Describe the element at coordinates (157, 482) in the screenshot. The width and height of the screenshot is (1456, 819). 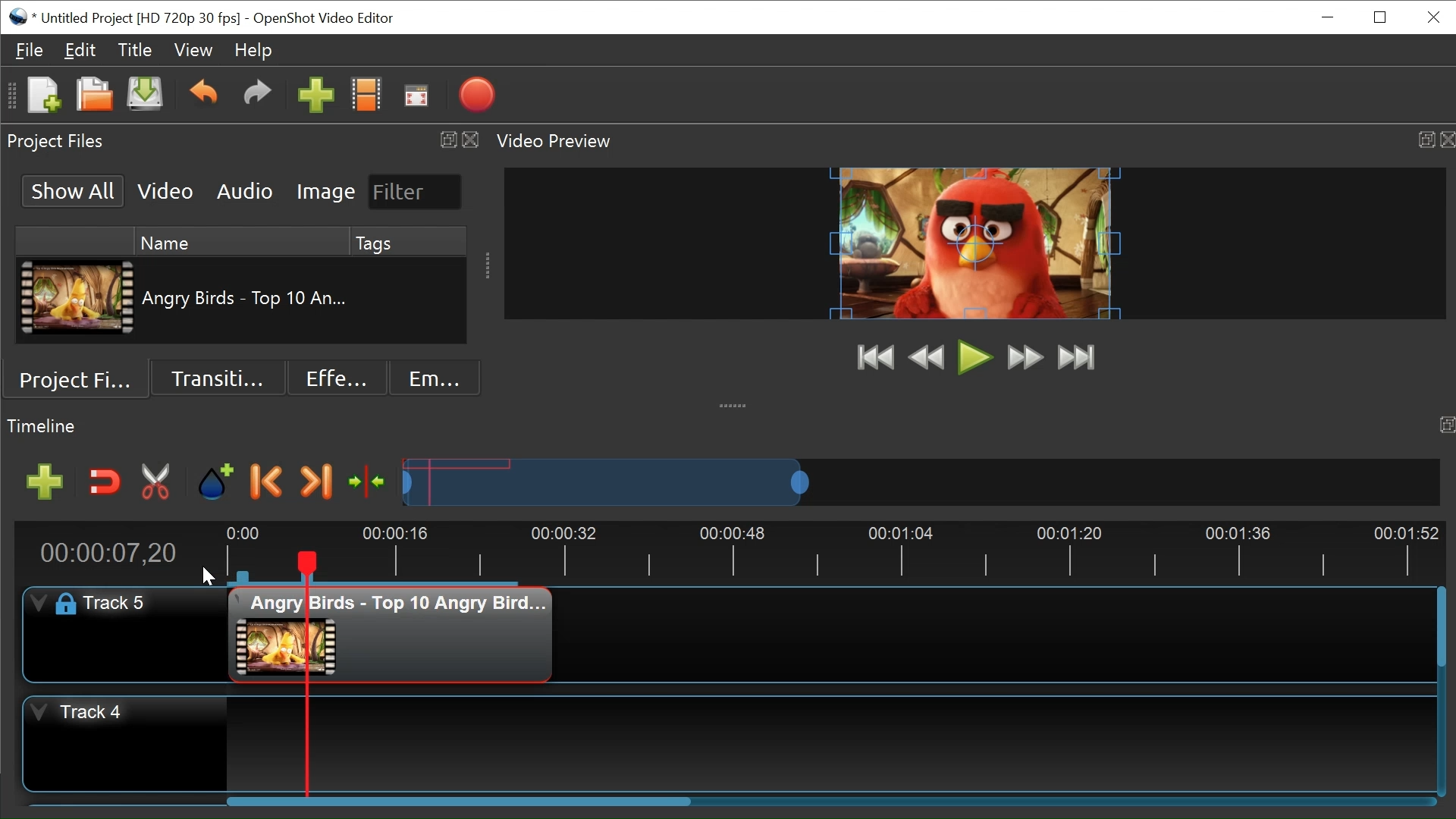
I see `Razor` at that location.